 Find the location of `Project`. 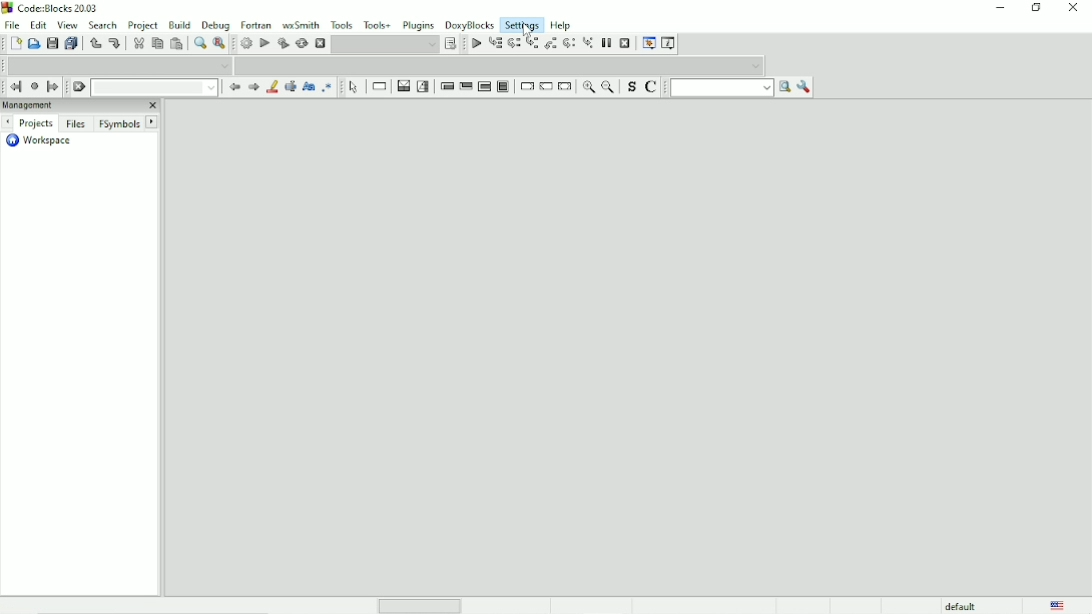

Project is located at coordinates (142, 24).